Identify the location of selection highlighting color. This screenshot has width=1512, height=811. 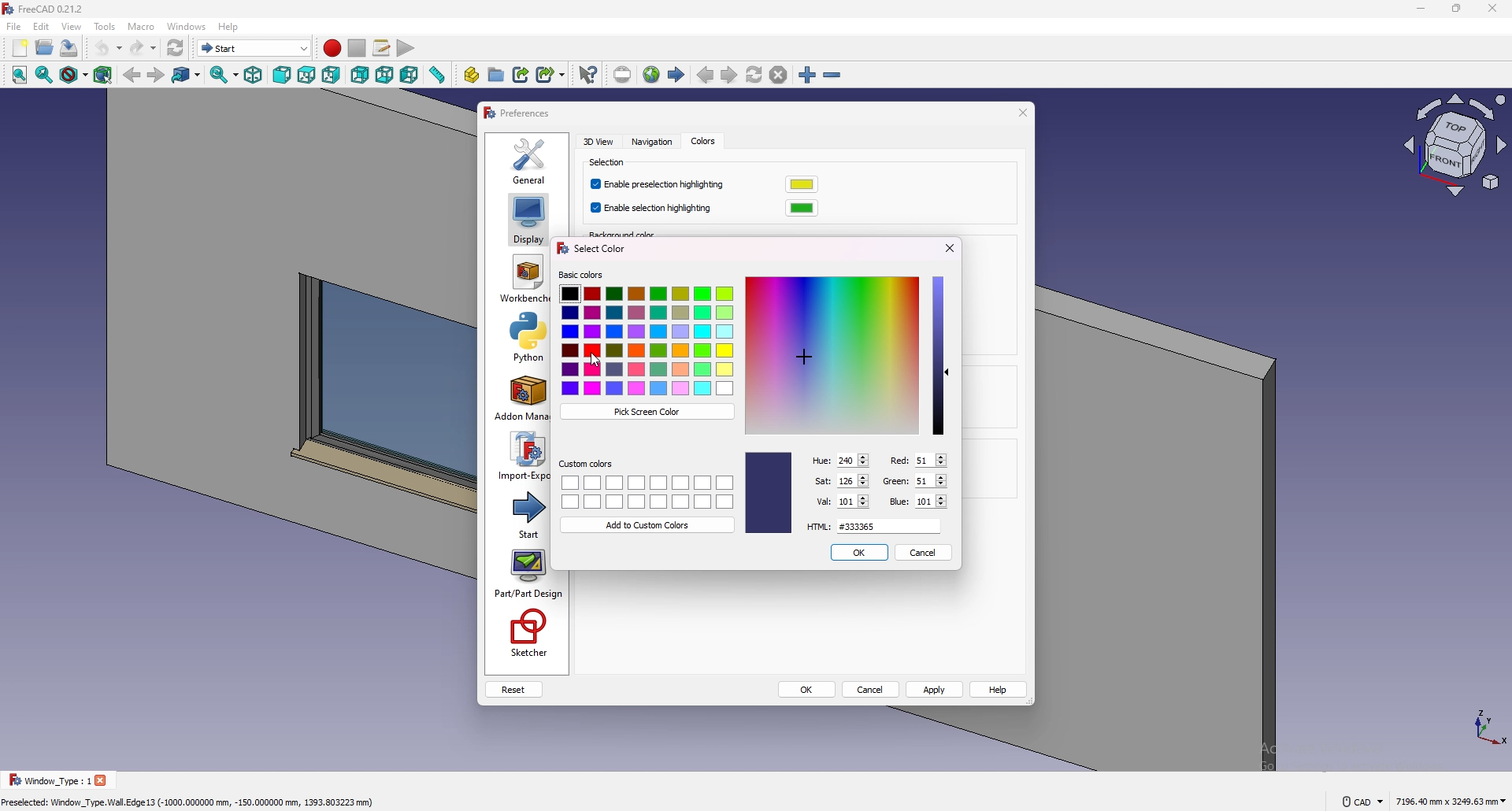
(802, 208).